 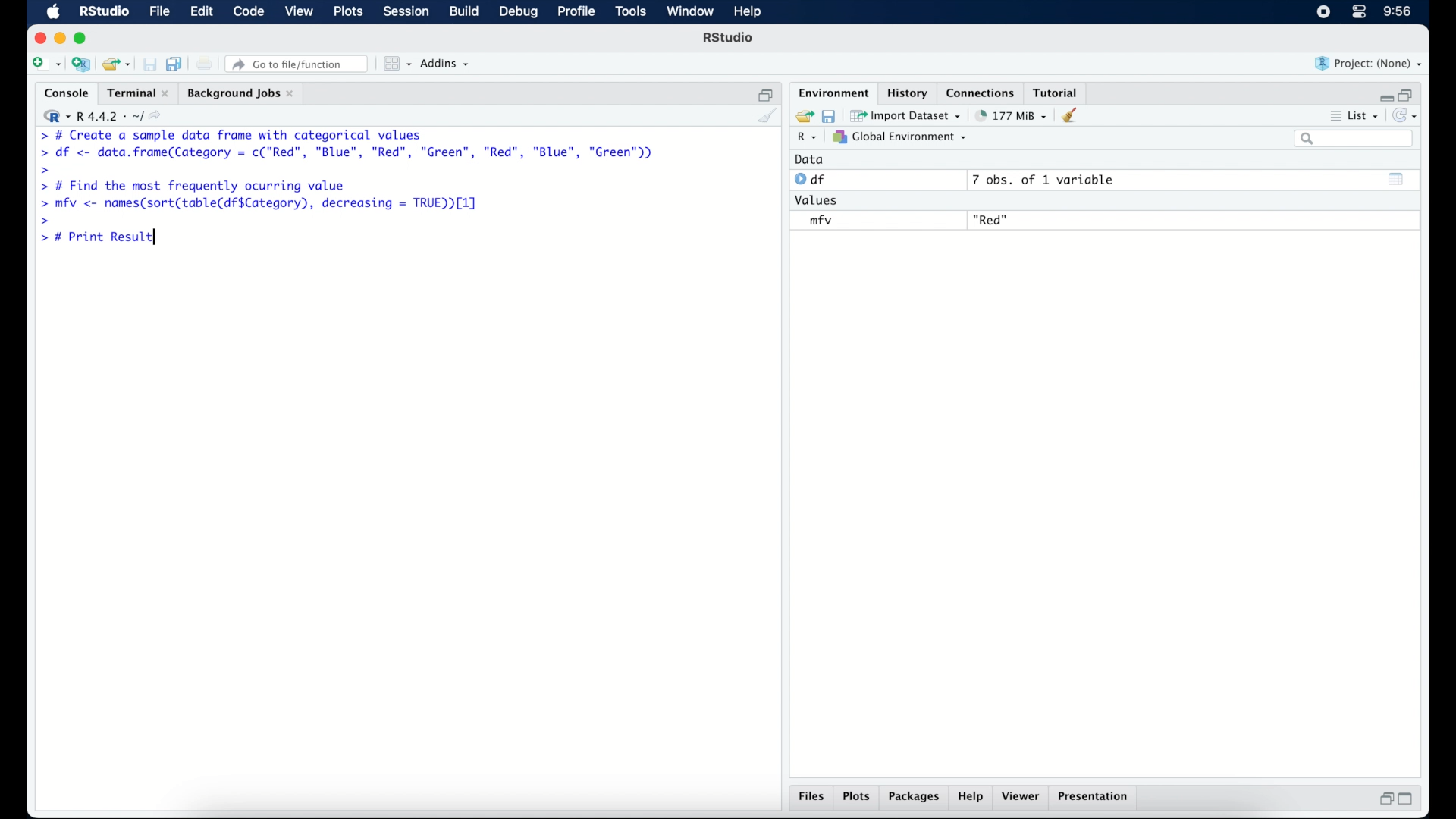 What do you see at coordinates (249, 12) in the screenshot?
I see `code` at bounding box center [249, 12].